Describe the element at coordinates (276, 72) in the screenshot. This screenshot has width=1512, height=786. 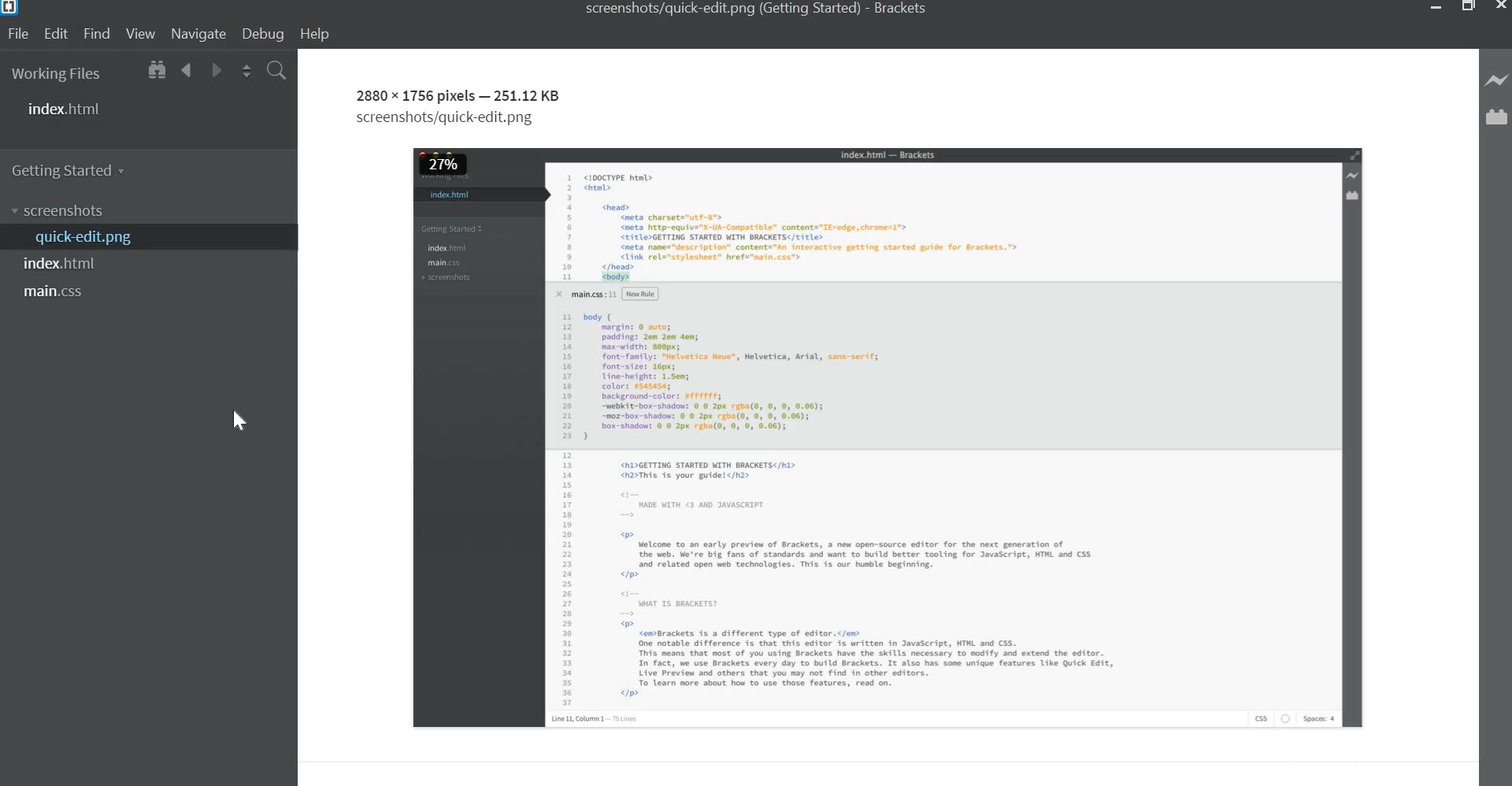
I see `Find in Files` at that location.